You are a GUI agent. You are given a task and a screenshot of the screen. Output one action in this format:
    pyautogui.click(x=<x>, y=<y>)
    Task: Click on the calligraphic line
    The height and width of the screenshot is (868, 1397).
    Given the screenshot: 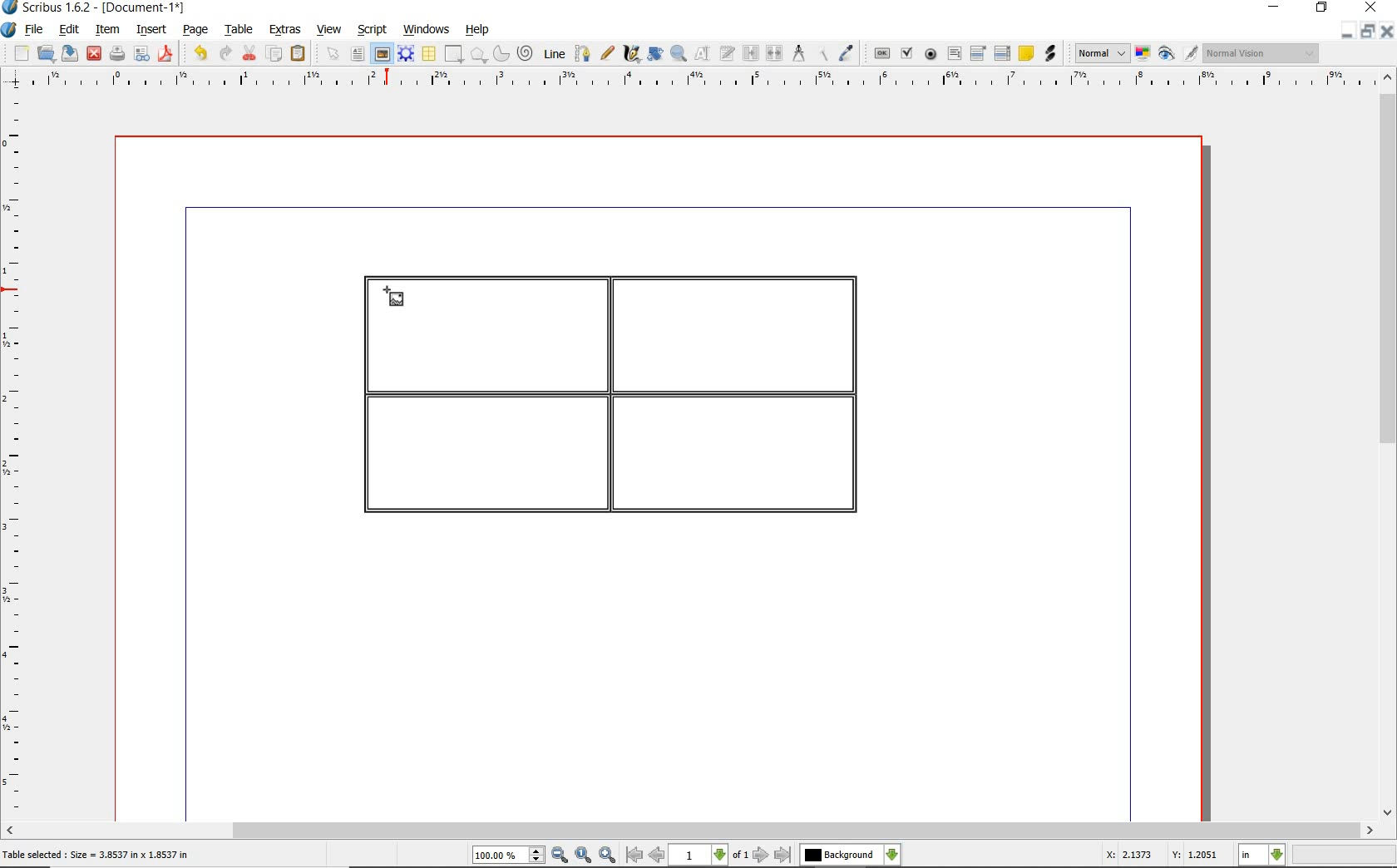 What is the action you would take?
    pyautogui.click(x=632, y=54)
    